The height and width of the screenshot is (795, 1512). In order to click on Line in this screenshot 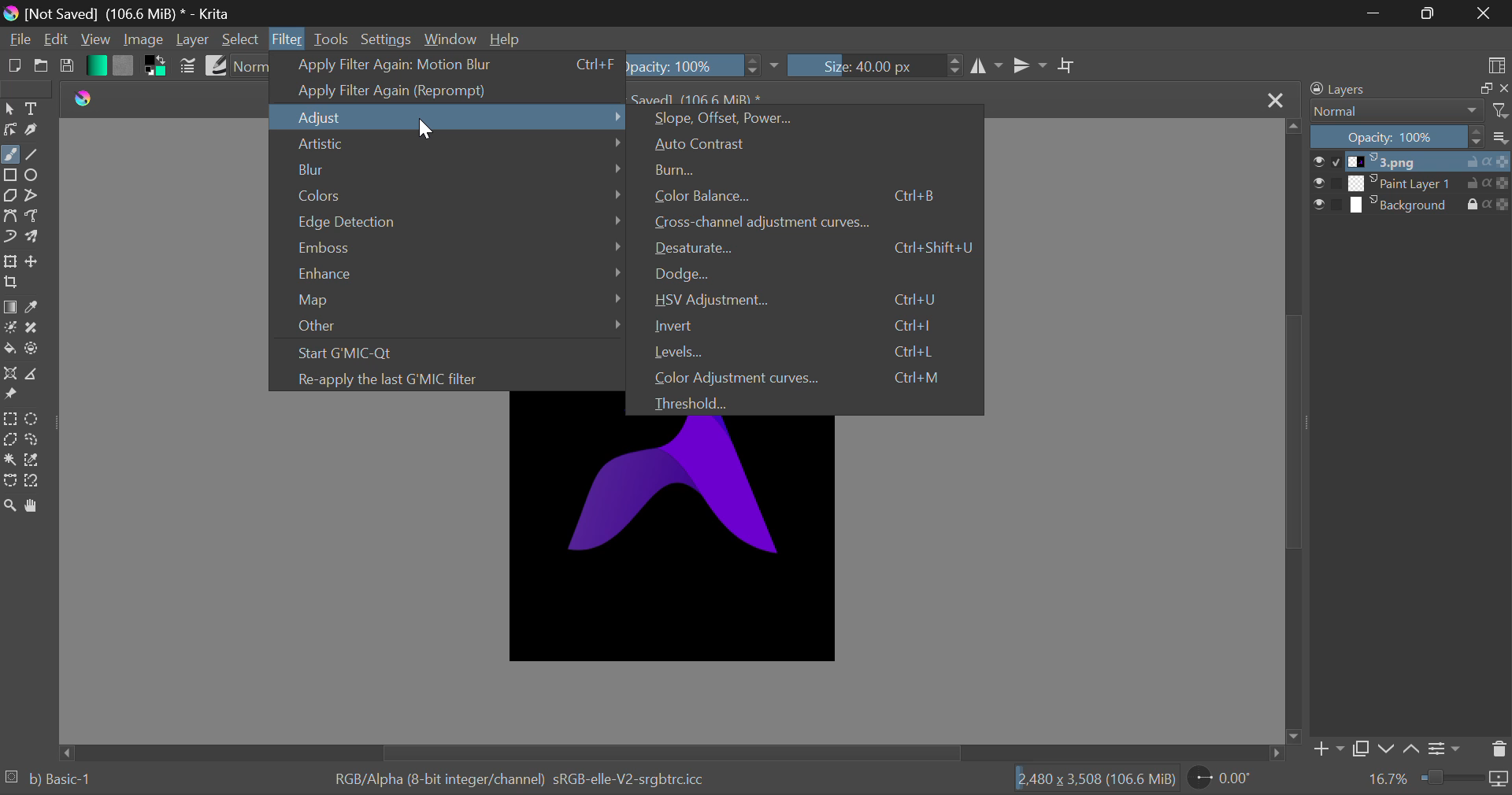, I will do `click(35, 155)`.